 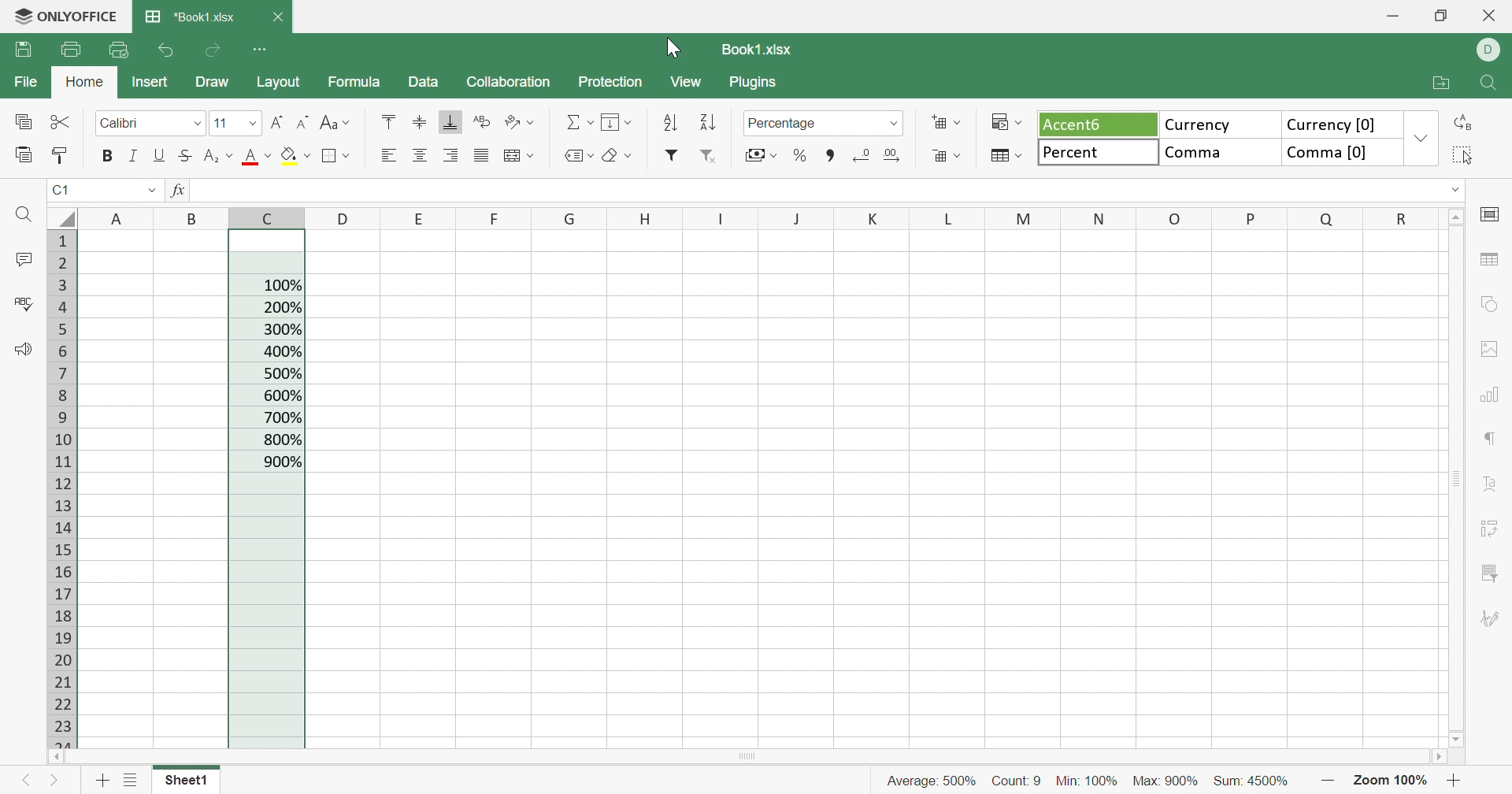 What do you see at coordinates (191, 17) in the screenshot?
I see `*Book1.xlsx` at bounding box center [191, 17].